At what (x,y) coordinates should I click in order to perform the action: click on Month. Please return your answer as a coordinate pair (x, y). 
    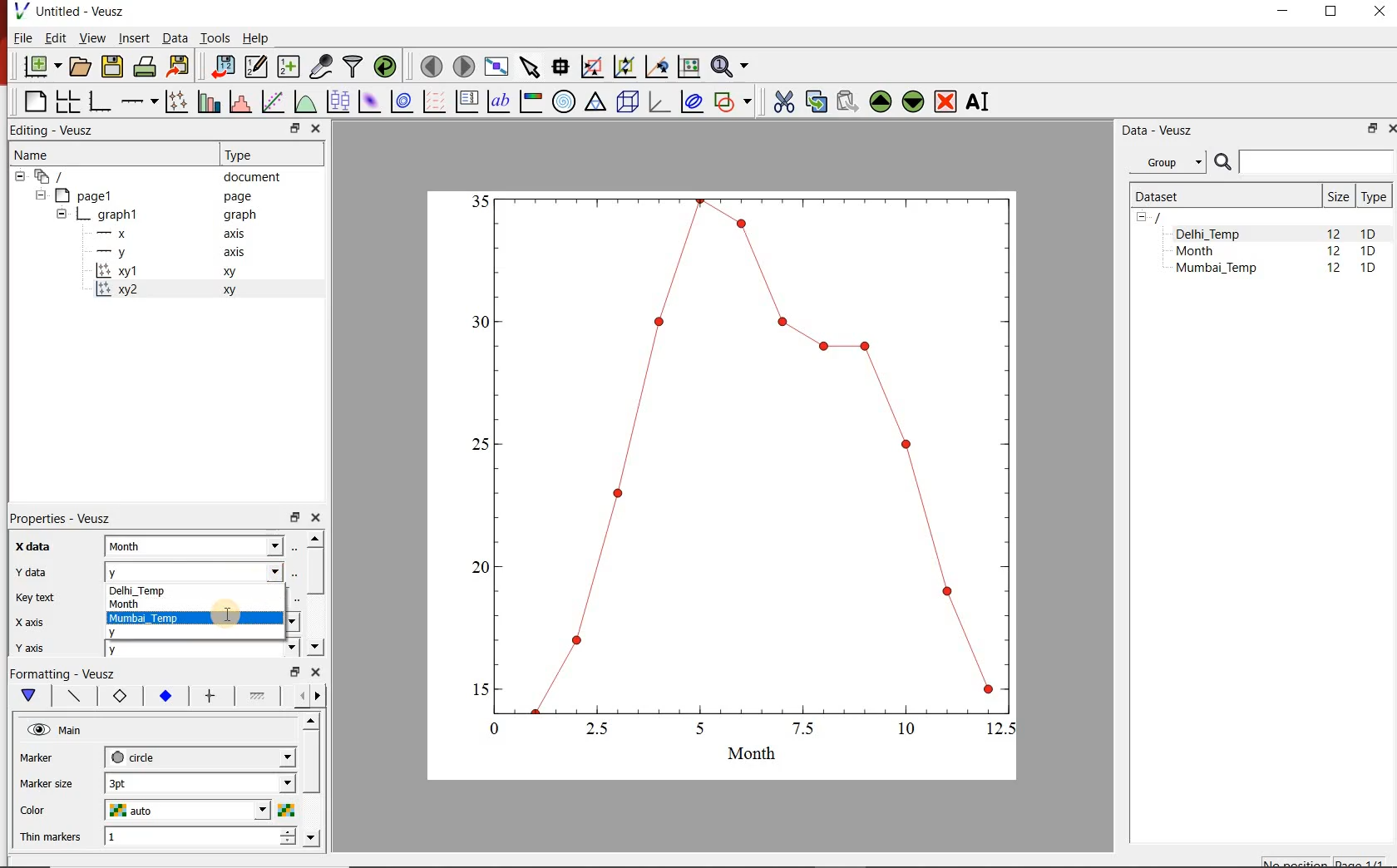
    Looking at the image, I should click on (201, 546).